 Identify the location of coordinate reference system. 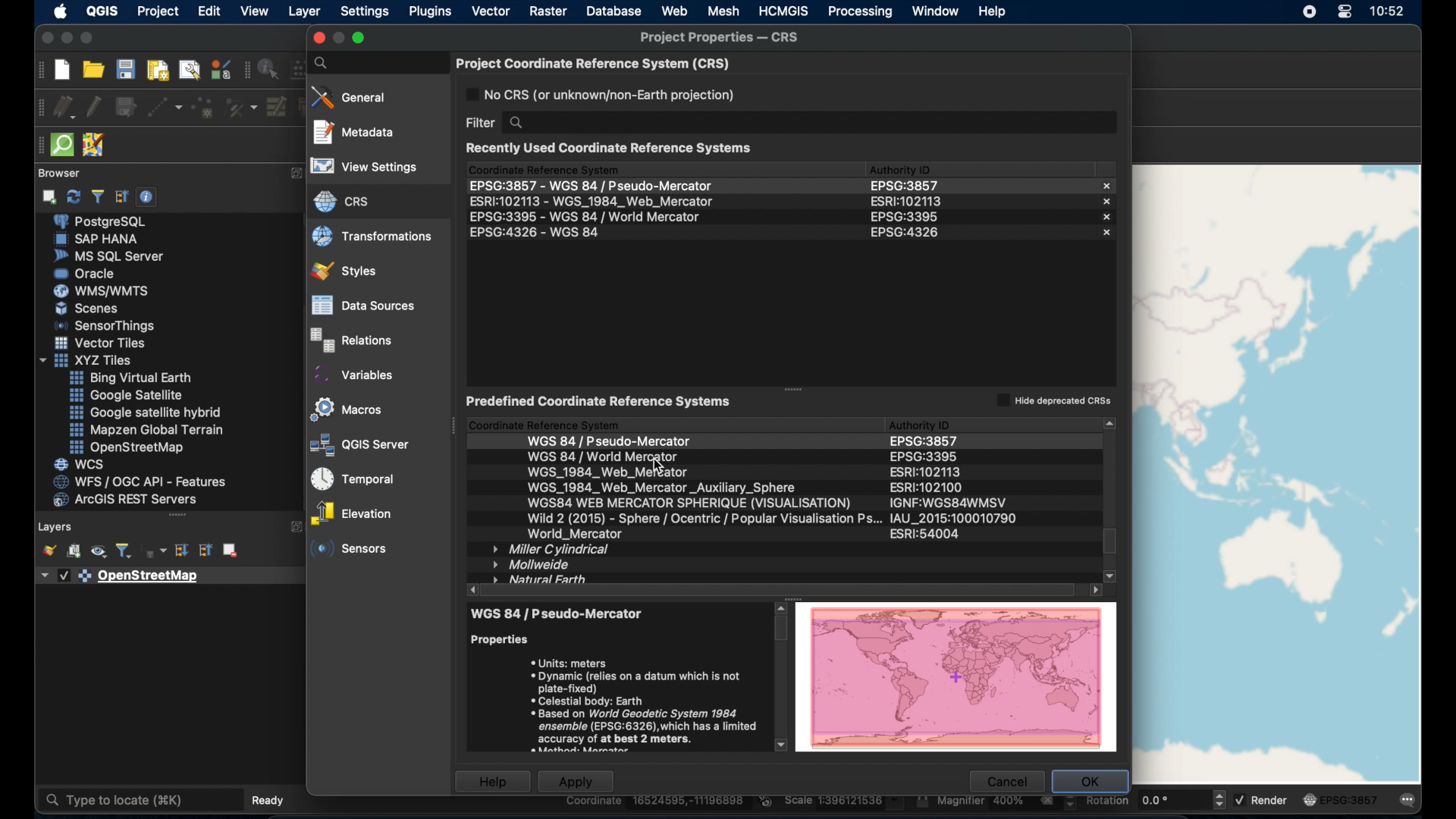
(544, 168).